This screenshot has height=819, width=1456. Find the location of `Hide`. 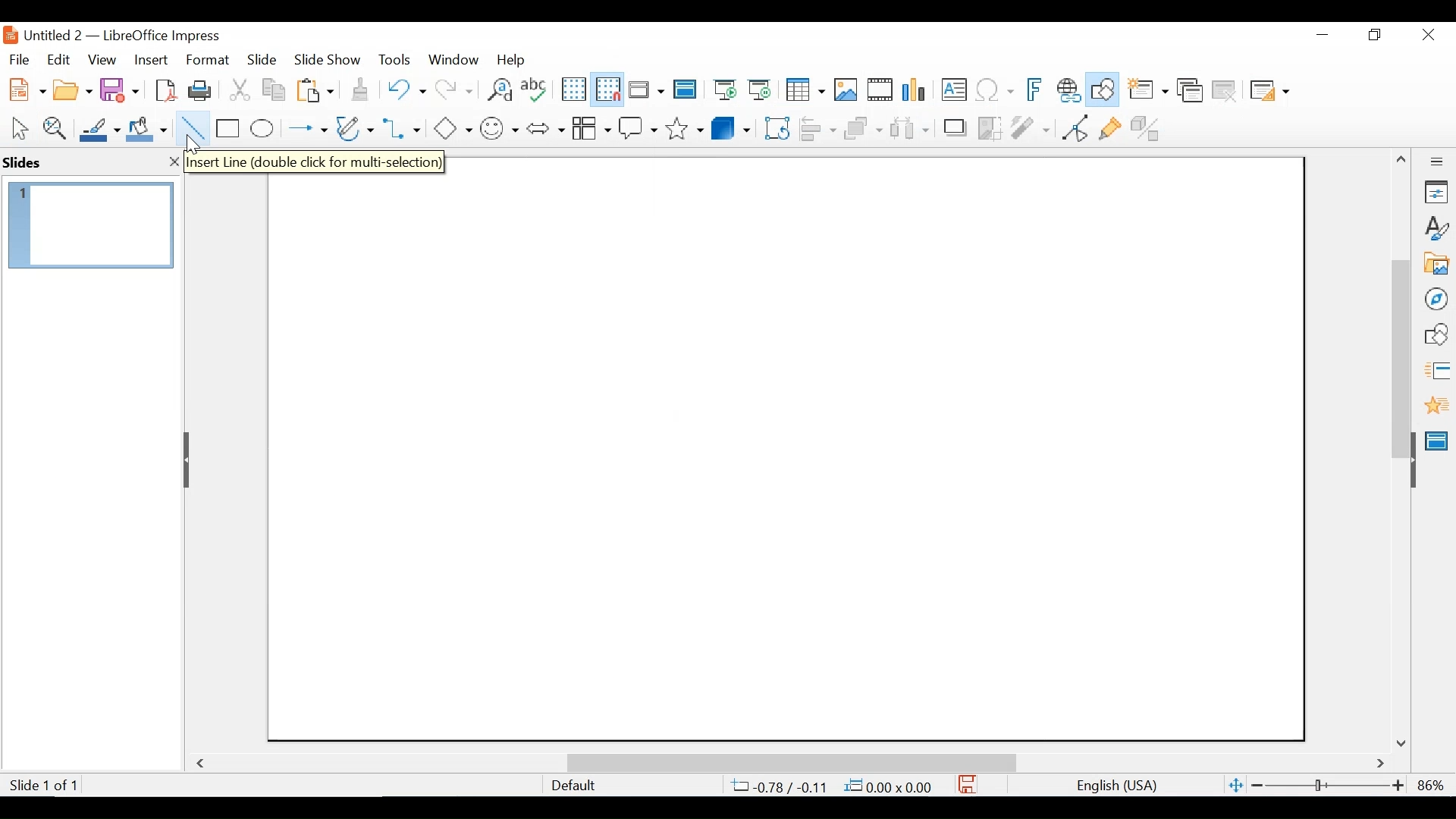

Hide is located at coordinates (1412, 457).